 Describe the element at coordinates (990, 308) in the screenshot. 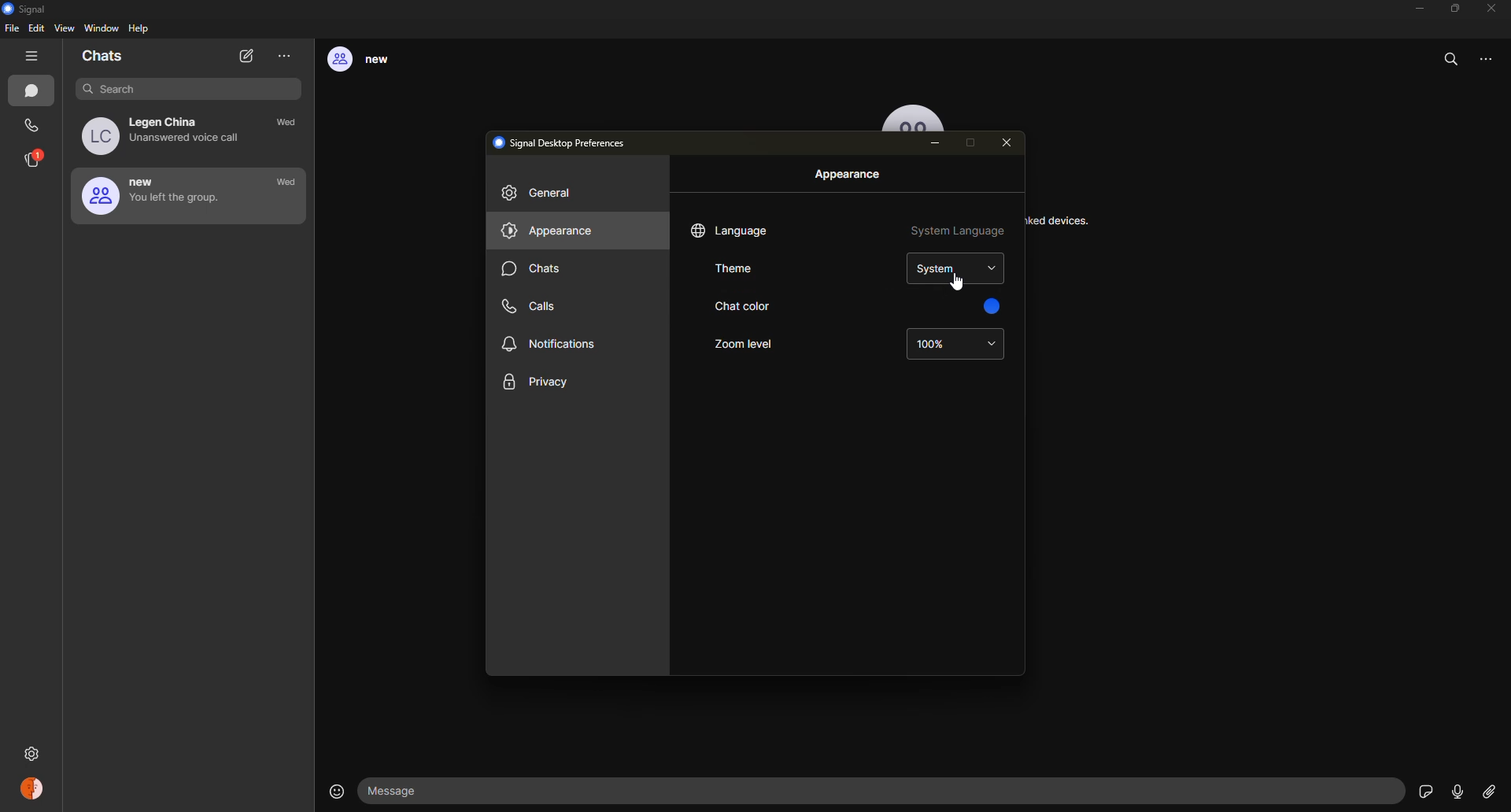

I see `blue` at that location.